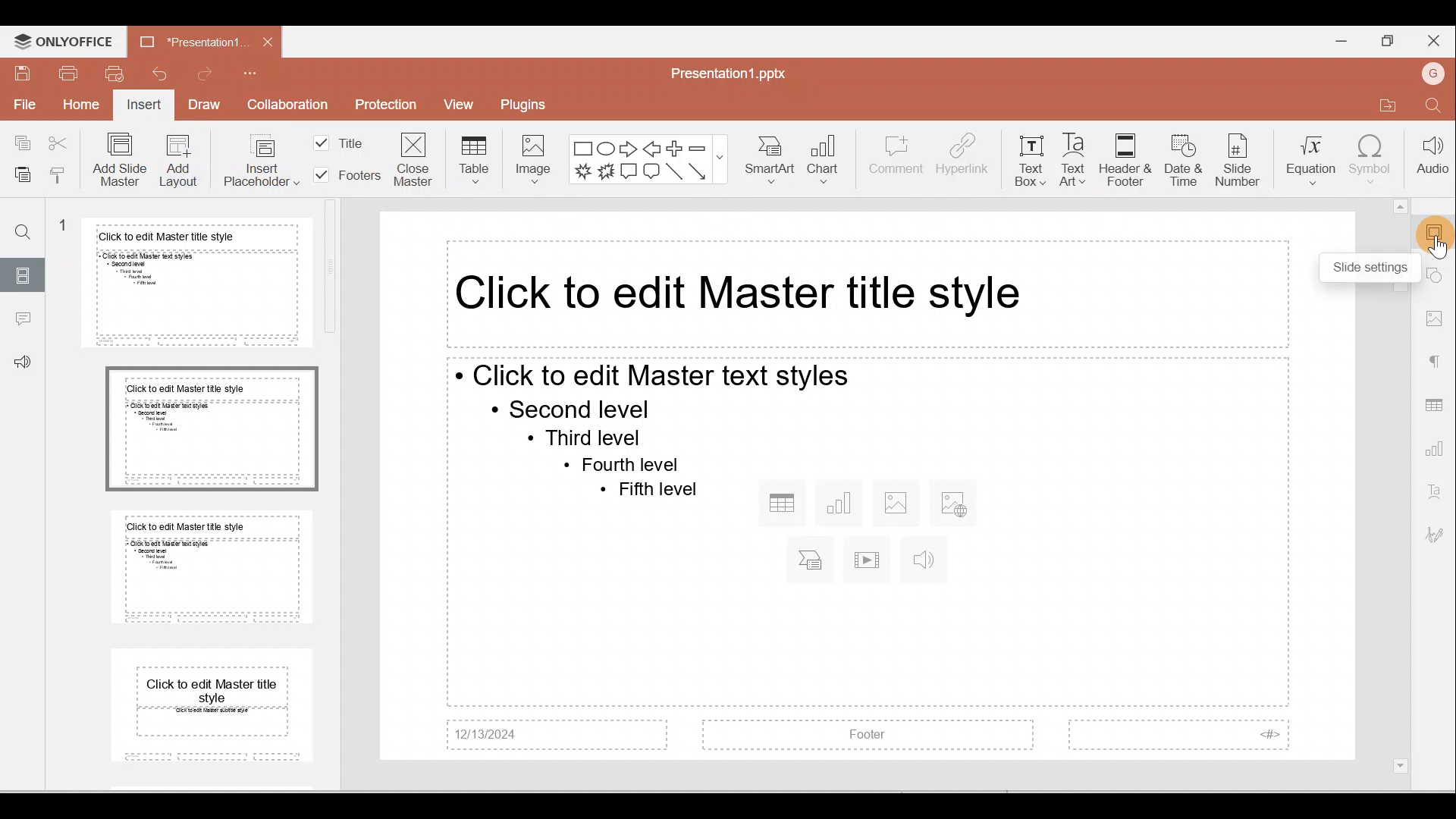 This screenshot has height=819, width=1456. I want to click on Master slide 4, so click(212, 708).